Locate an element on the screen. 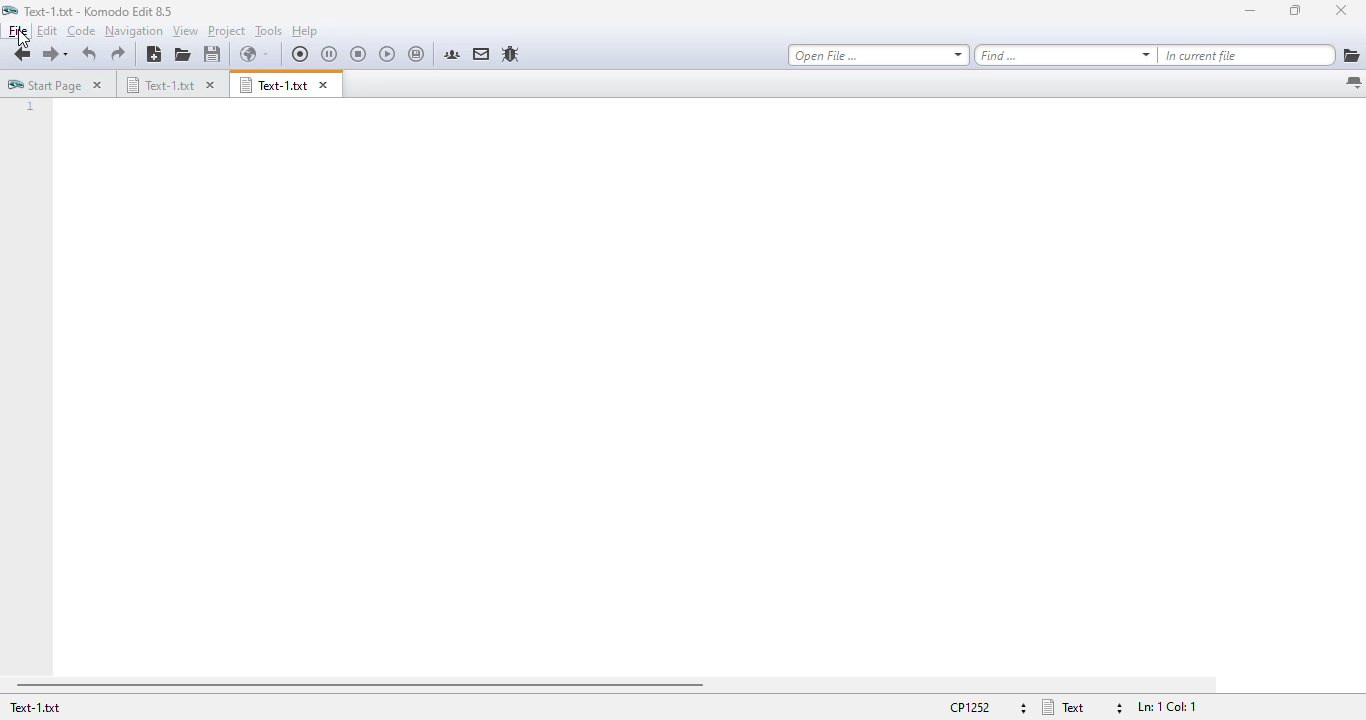  recent locations is located at coordinates (70, 55).